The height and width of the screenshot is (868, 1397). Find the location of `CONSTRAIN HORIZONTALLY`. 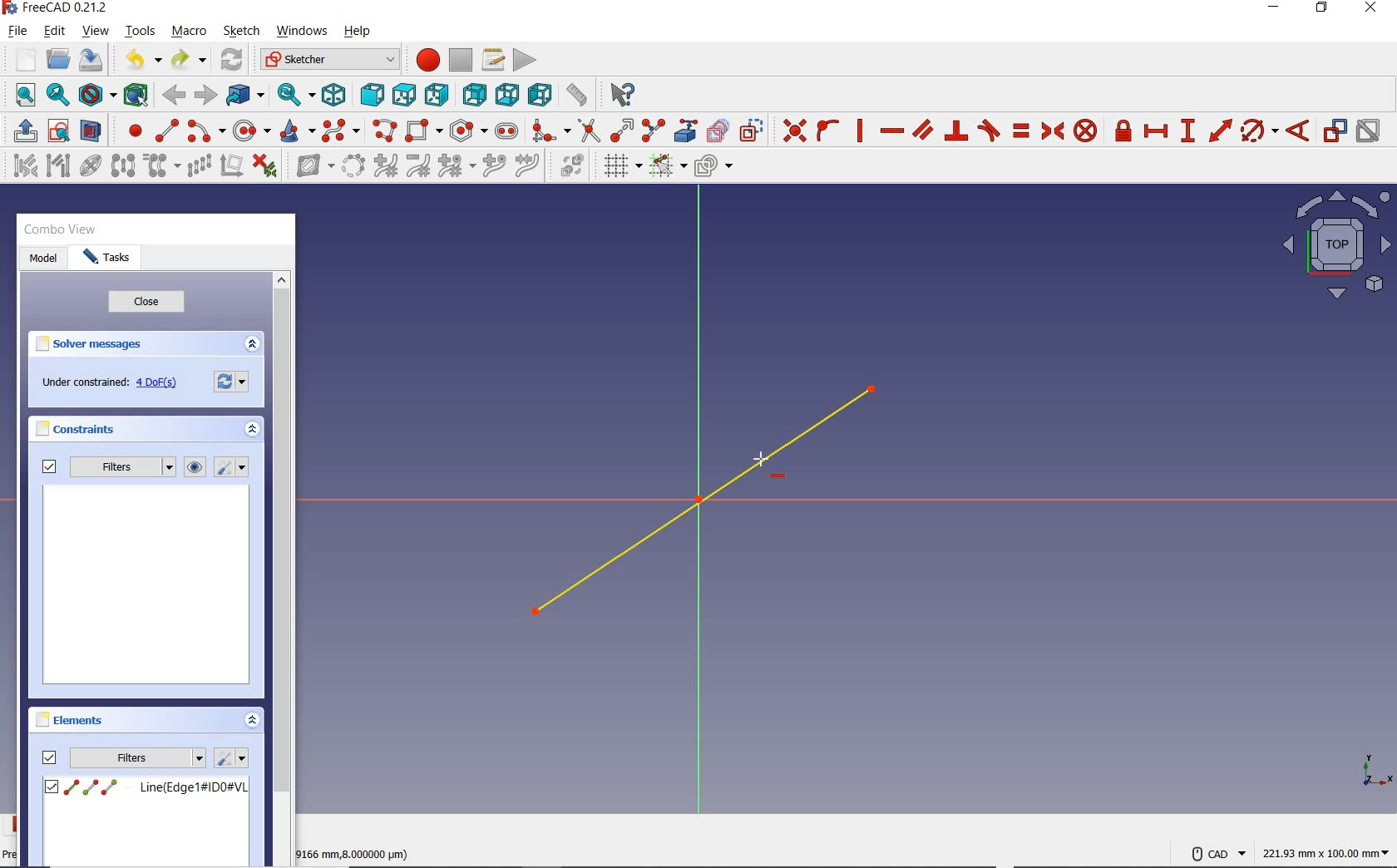

CONSTRAIN HORIZONTALLY is located at coordinates (891, 131).